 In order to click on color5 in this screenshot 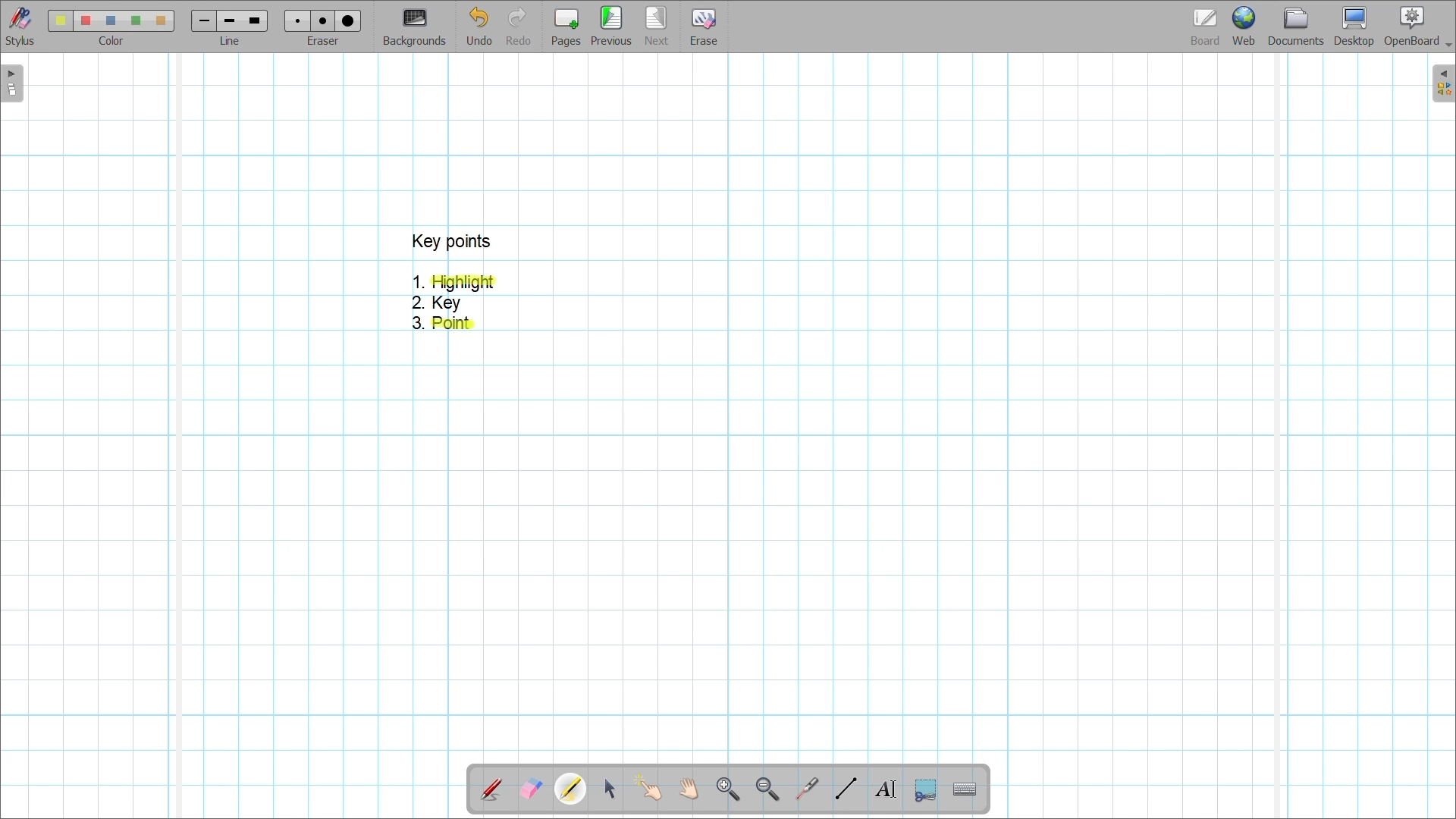, I will do `click(159, 21)`.